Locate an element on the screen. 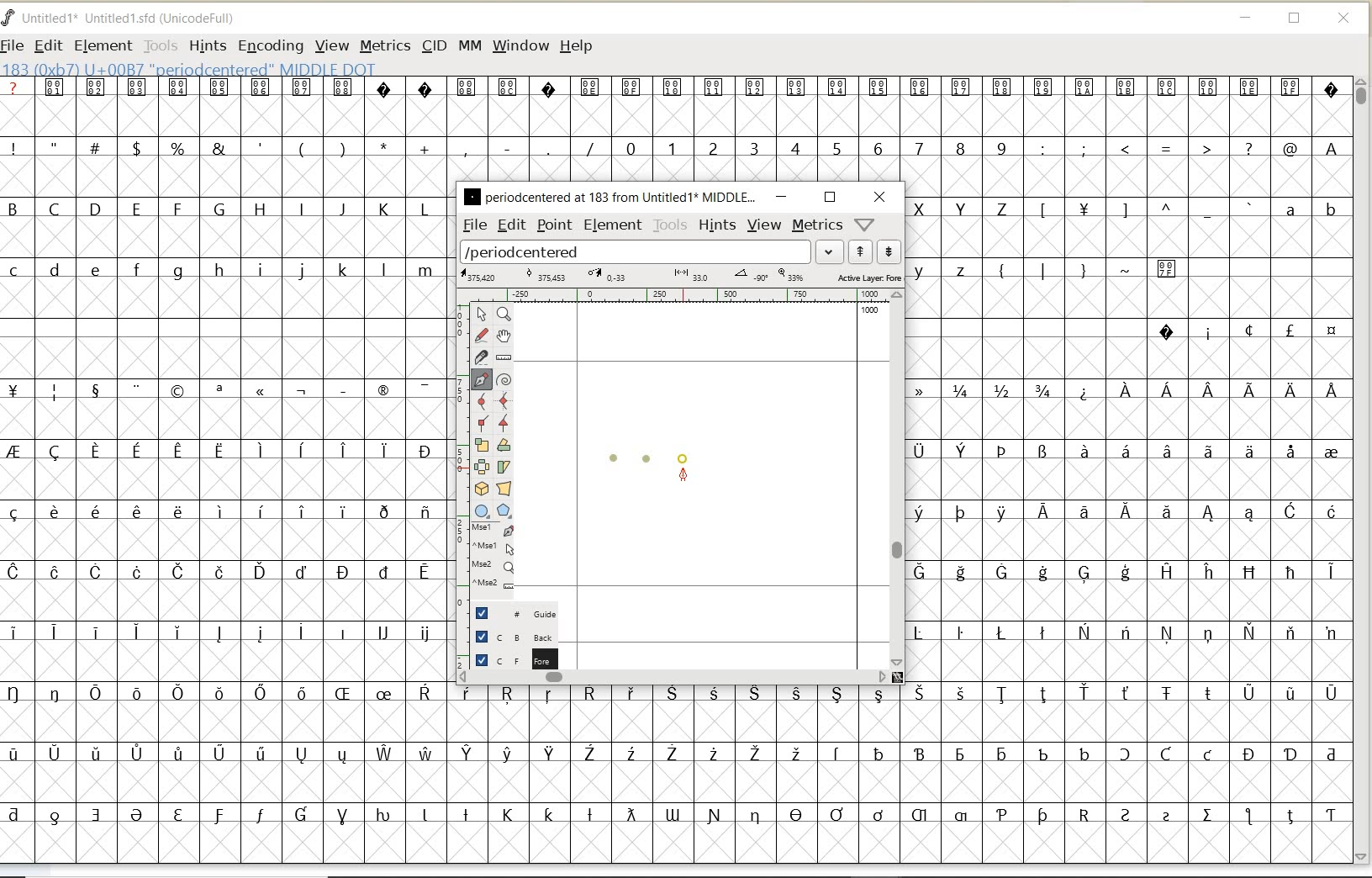 The width and height of the screenshot is (1372, 878). metrics is located at coordinates (818, 225).